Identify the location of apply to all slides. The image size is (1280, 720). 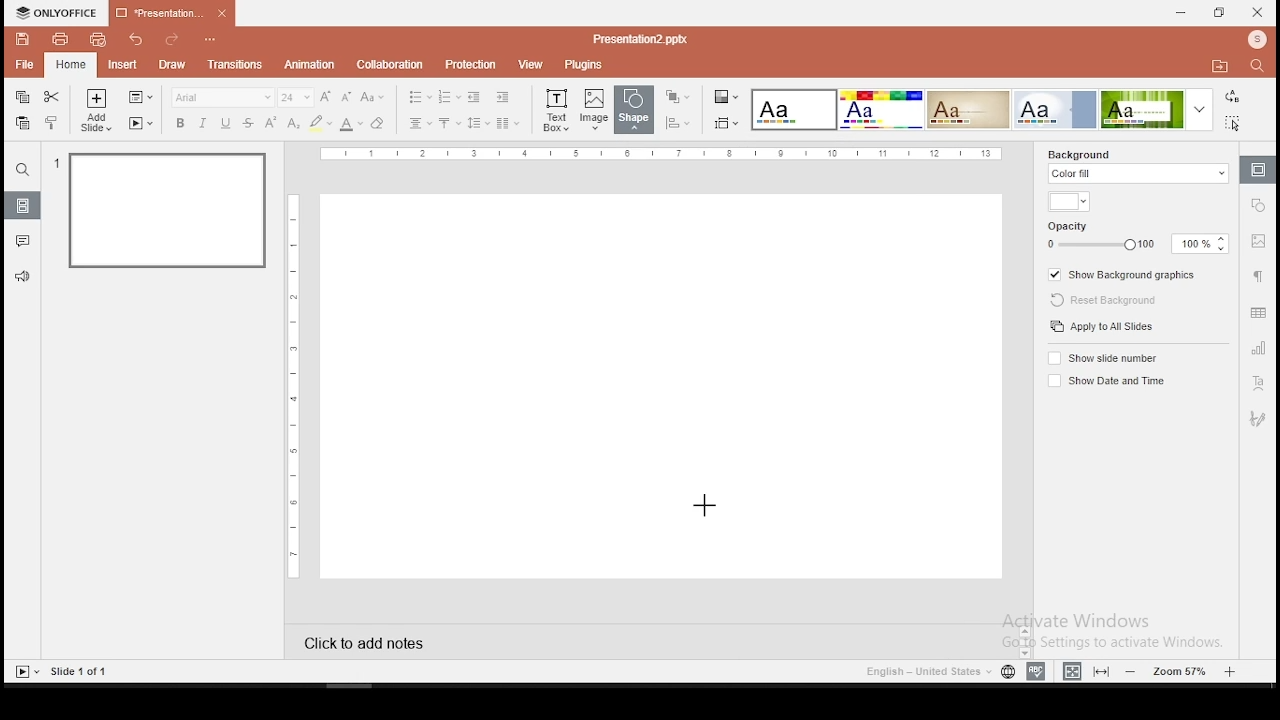
(1104, 326).